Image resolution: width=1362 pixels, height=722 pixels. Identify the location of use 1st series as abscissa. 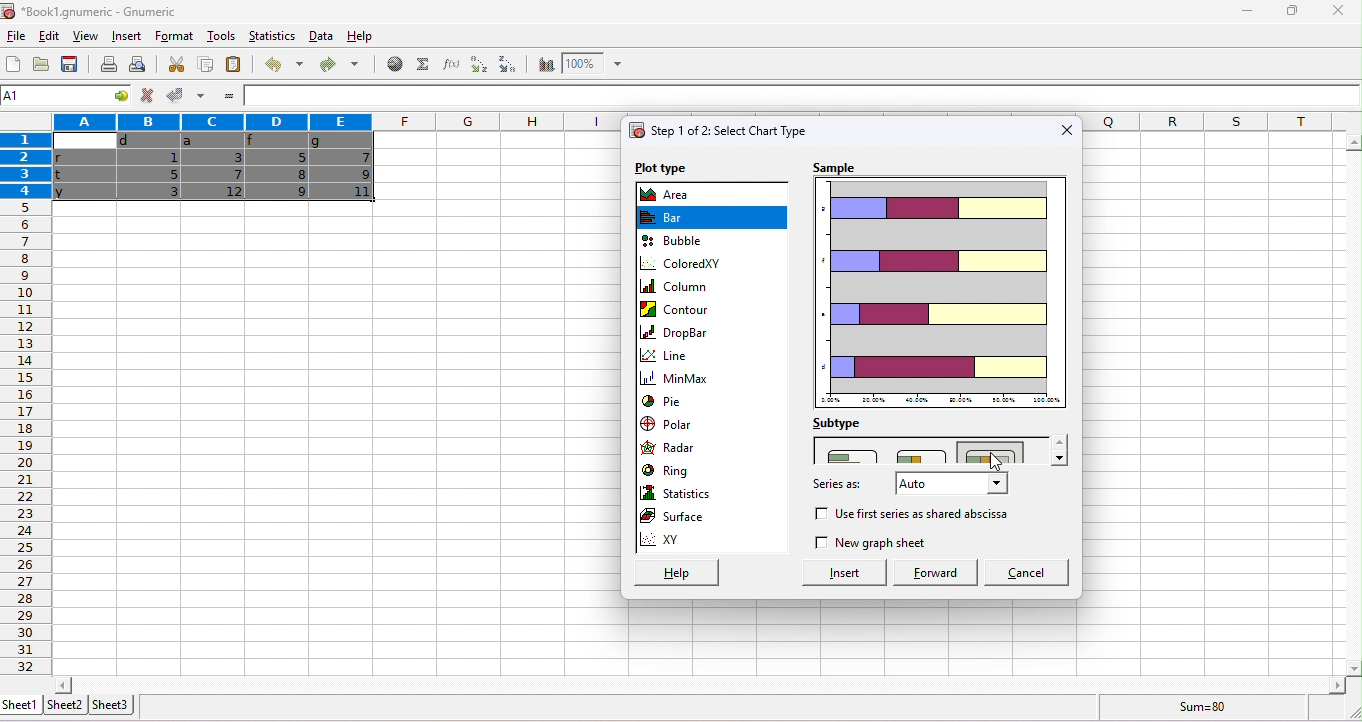
(926, 515).